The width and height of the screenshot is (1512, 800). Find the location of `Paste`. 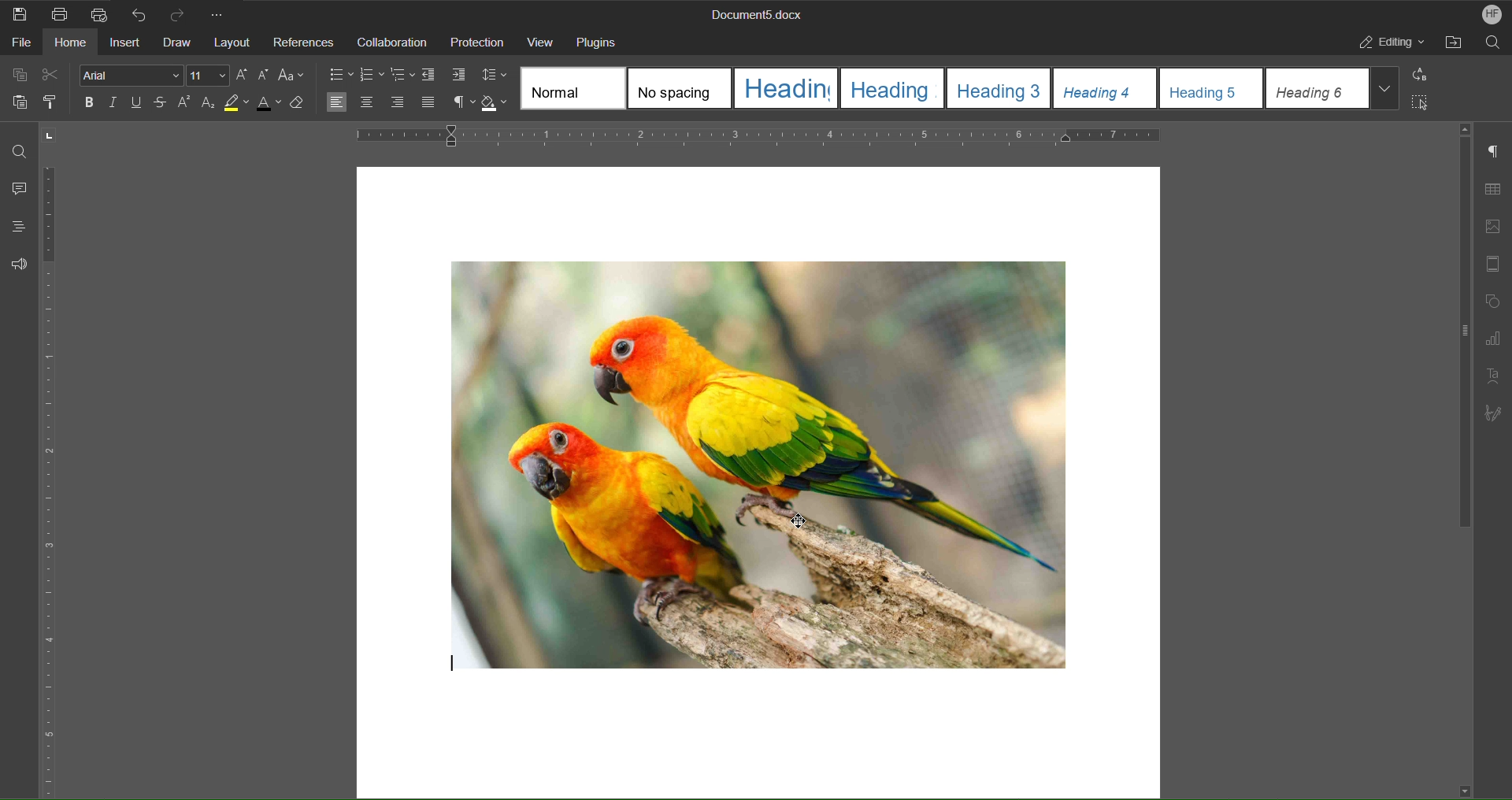

Paste is located at coordinates (17, 106).